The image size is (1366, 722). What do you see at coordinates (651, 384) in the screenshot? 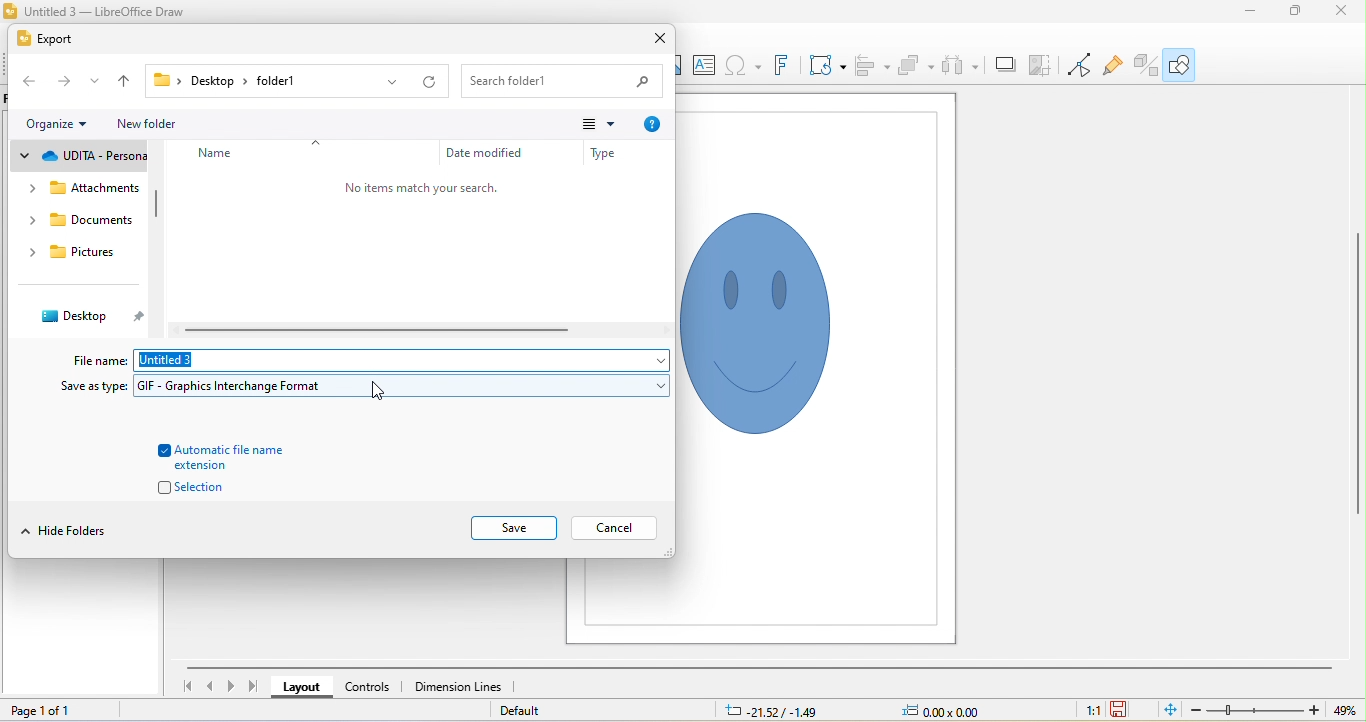
I see `drop down` at bounding box center [651, 384].